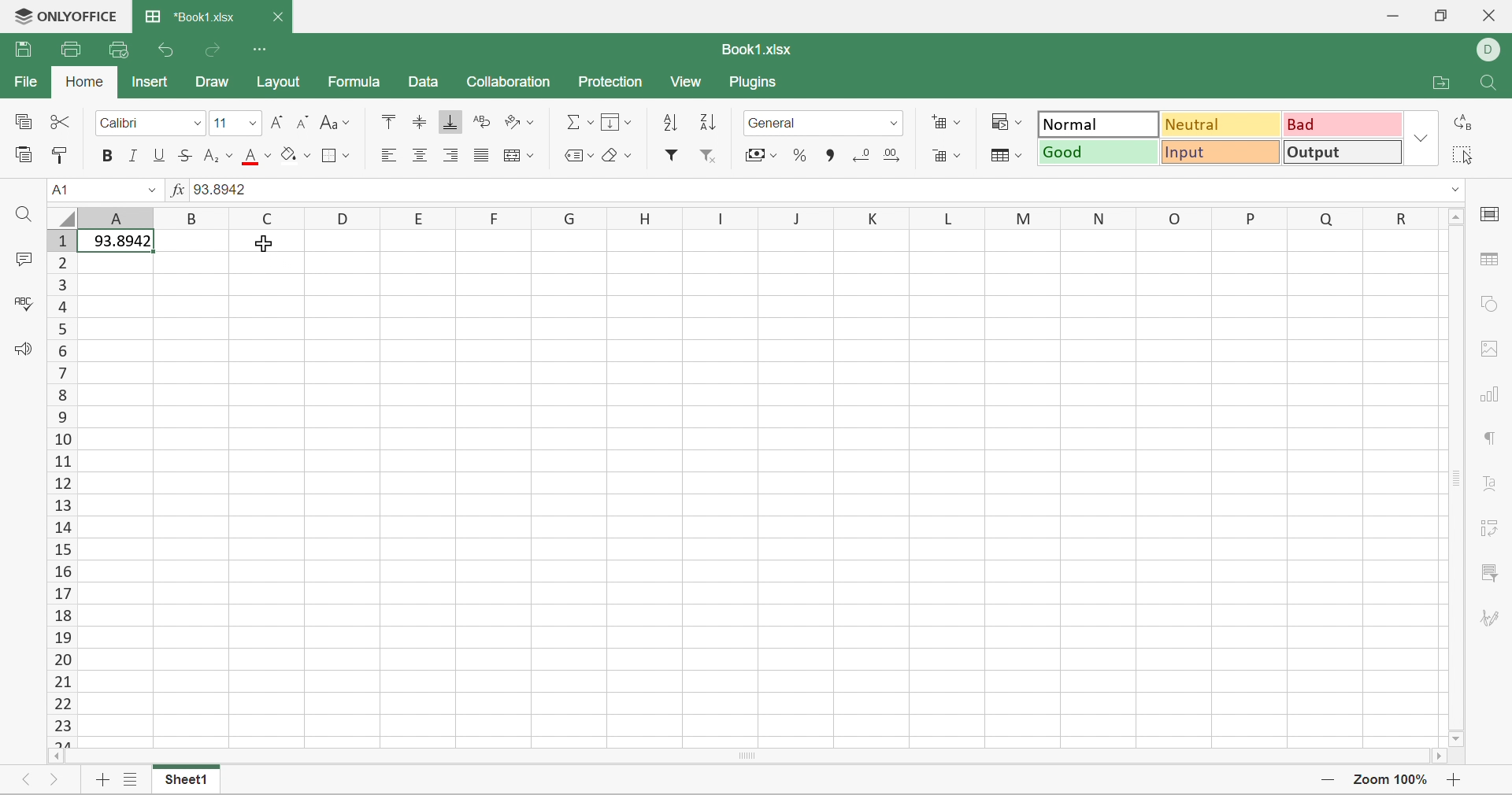 The image size is (1512, 795). Describe the element at coordinates (1439, 17) in the screenshot. I see `Restore Down` at that location.